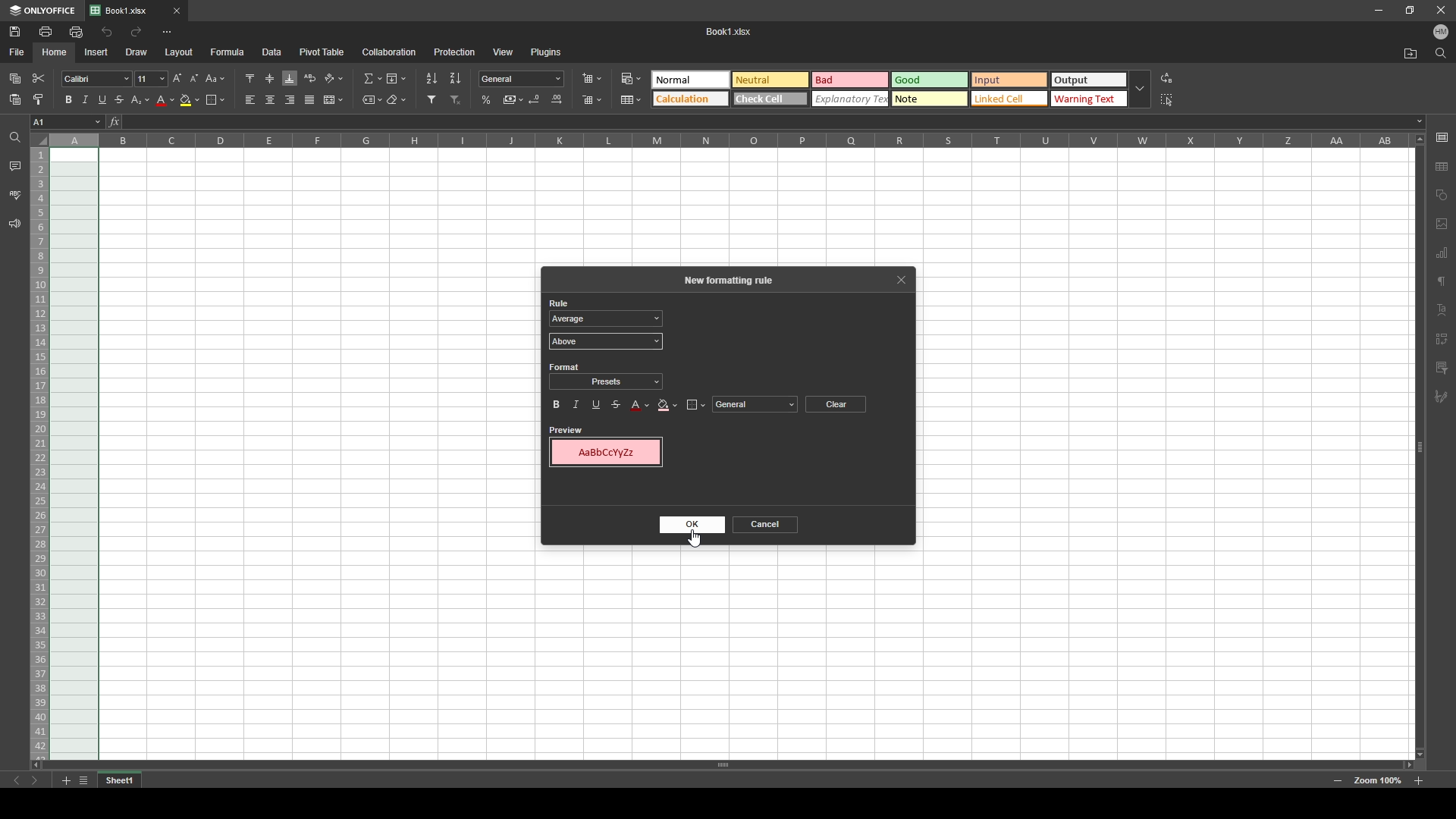  Describe the element at coordinates (120, 100) in the screenshot. I see `strikethrough` at that location.